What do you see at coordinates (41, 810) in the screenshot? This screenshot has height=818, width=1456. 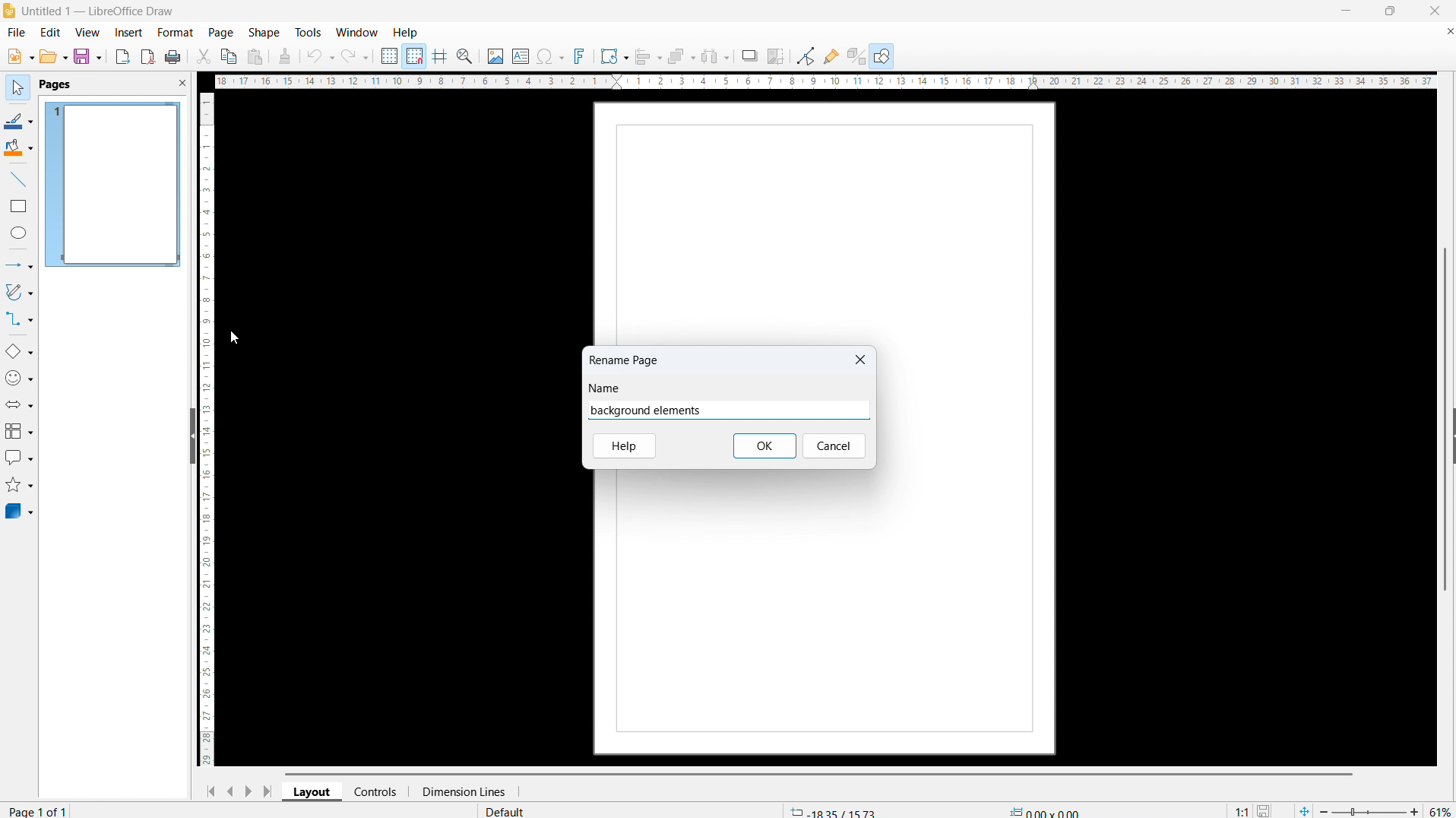 I see `page number` at bounding box center [41, 810].